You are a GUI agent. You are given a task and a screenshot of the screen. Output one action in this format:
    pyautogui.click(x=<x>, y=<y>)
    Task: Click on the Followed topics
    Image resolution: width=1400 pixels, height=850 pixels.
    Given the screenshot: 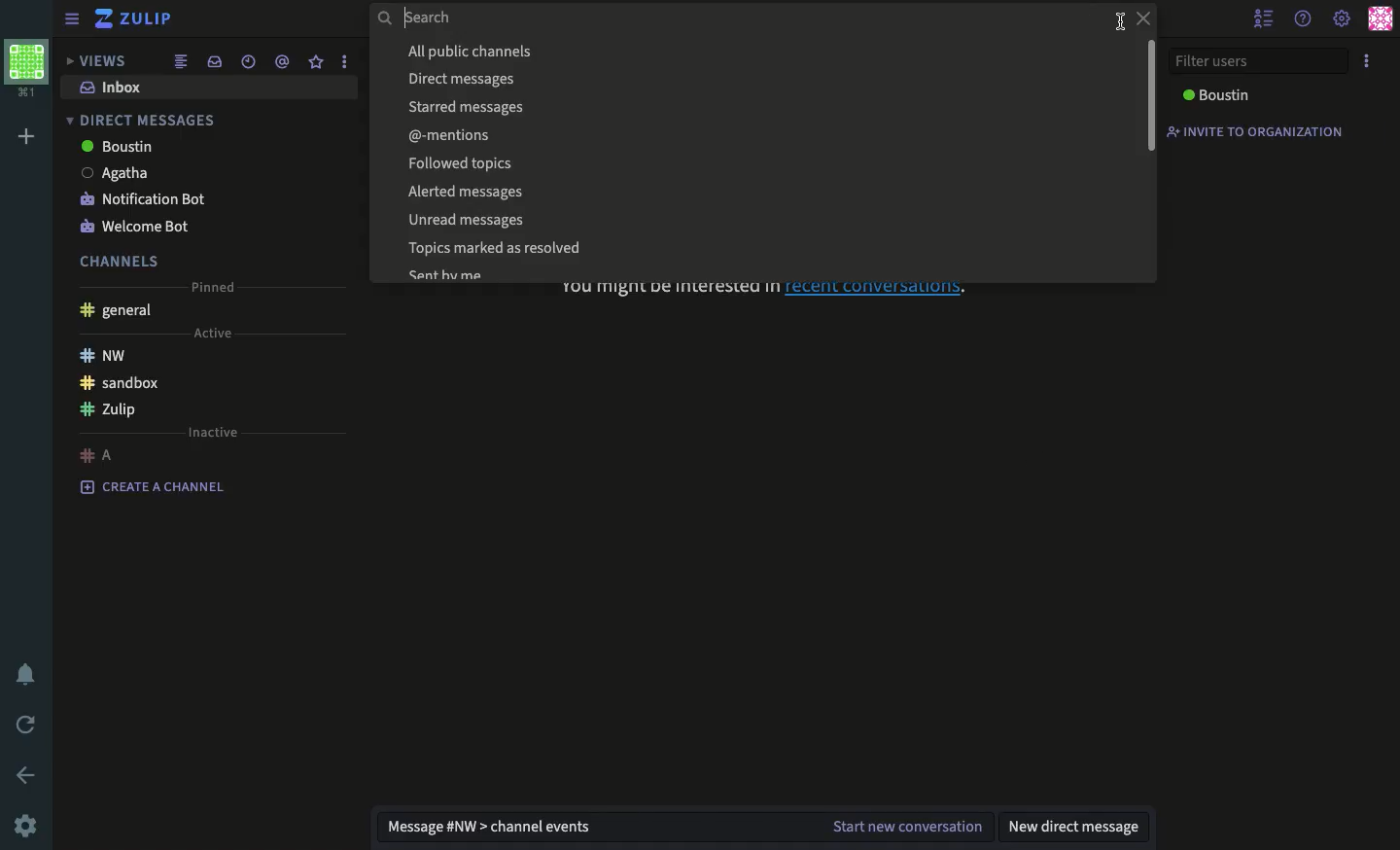 What is the action you would take?
    pyautogui.click(x=460, y=165)
    